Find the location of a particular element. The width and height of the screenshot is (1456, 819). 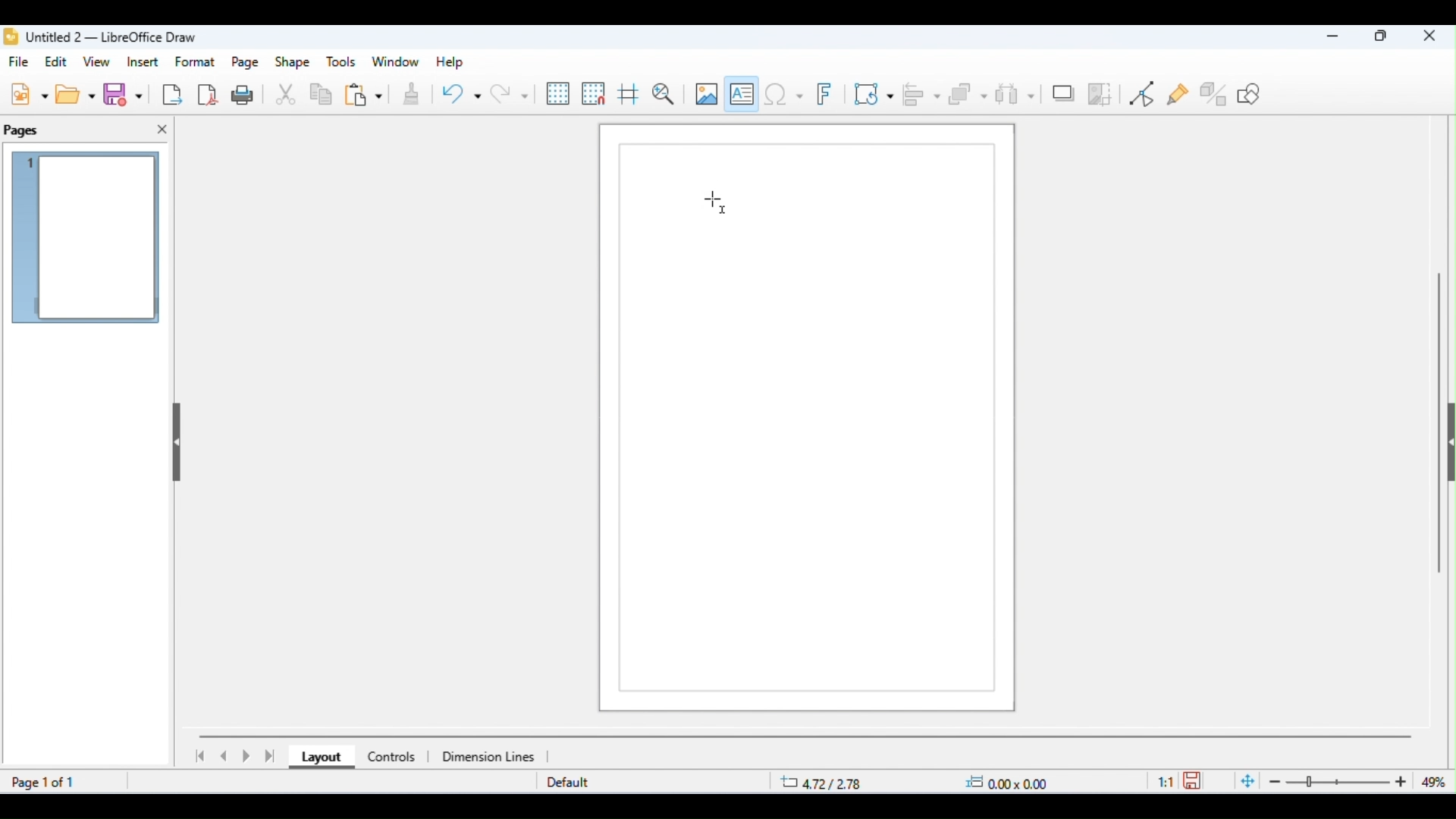

drawing area is located at coordinates (808, 423).